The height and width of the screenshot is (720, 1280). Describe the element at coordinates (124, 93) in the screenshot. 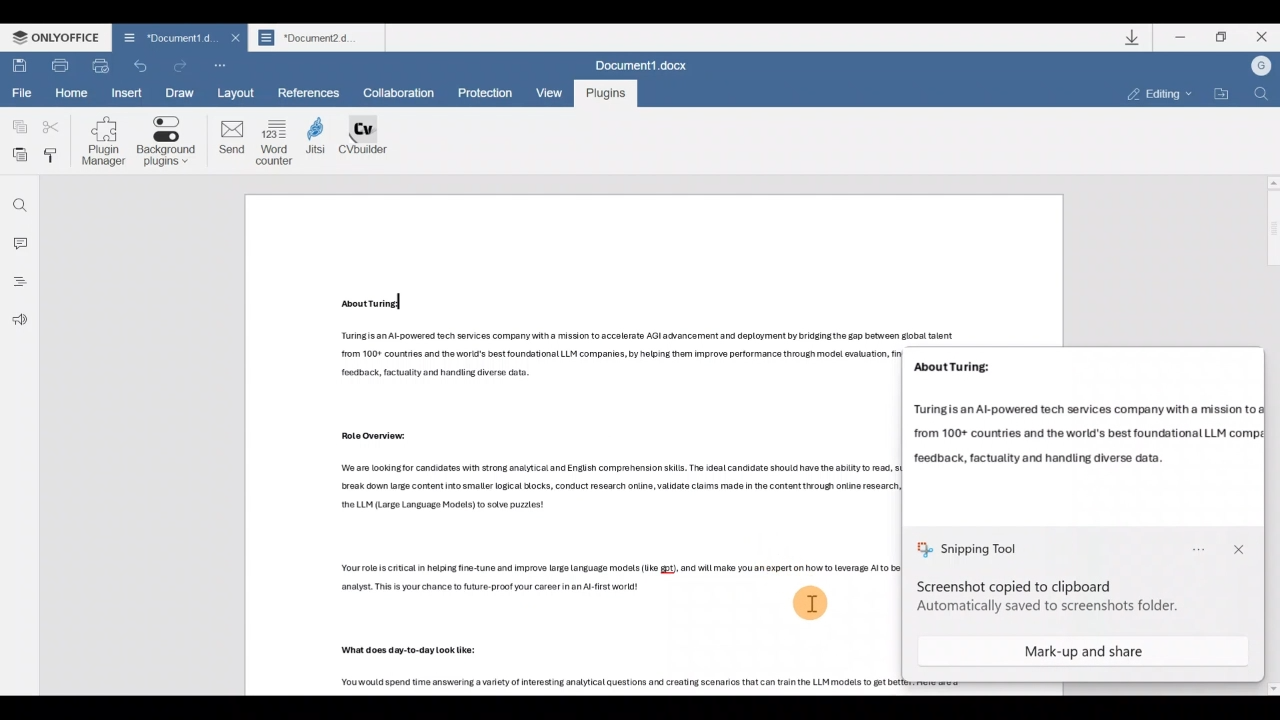

I see `Insert` at that location.